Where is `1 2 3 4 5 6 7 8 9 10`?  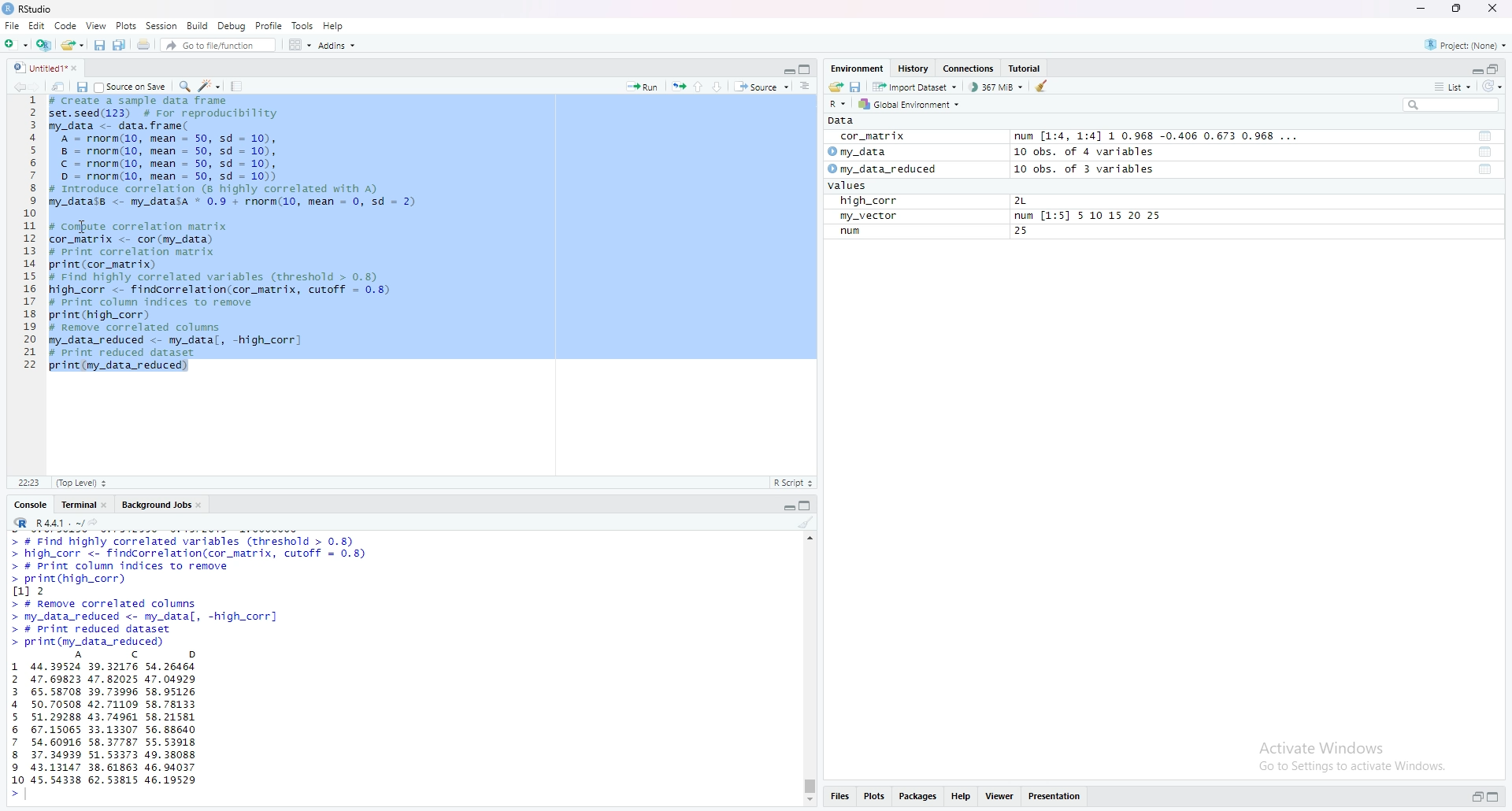 1 2 3 4 5 6 7 8 9 10 is located at coordinates (18, 722).